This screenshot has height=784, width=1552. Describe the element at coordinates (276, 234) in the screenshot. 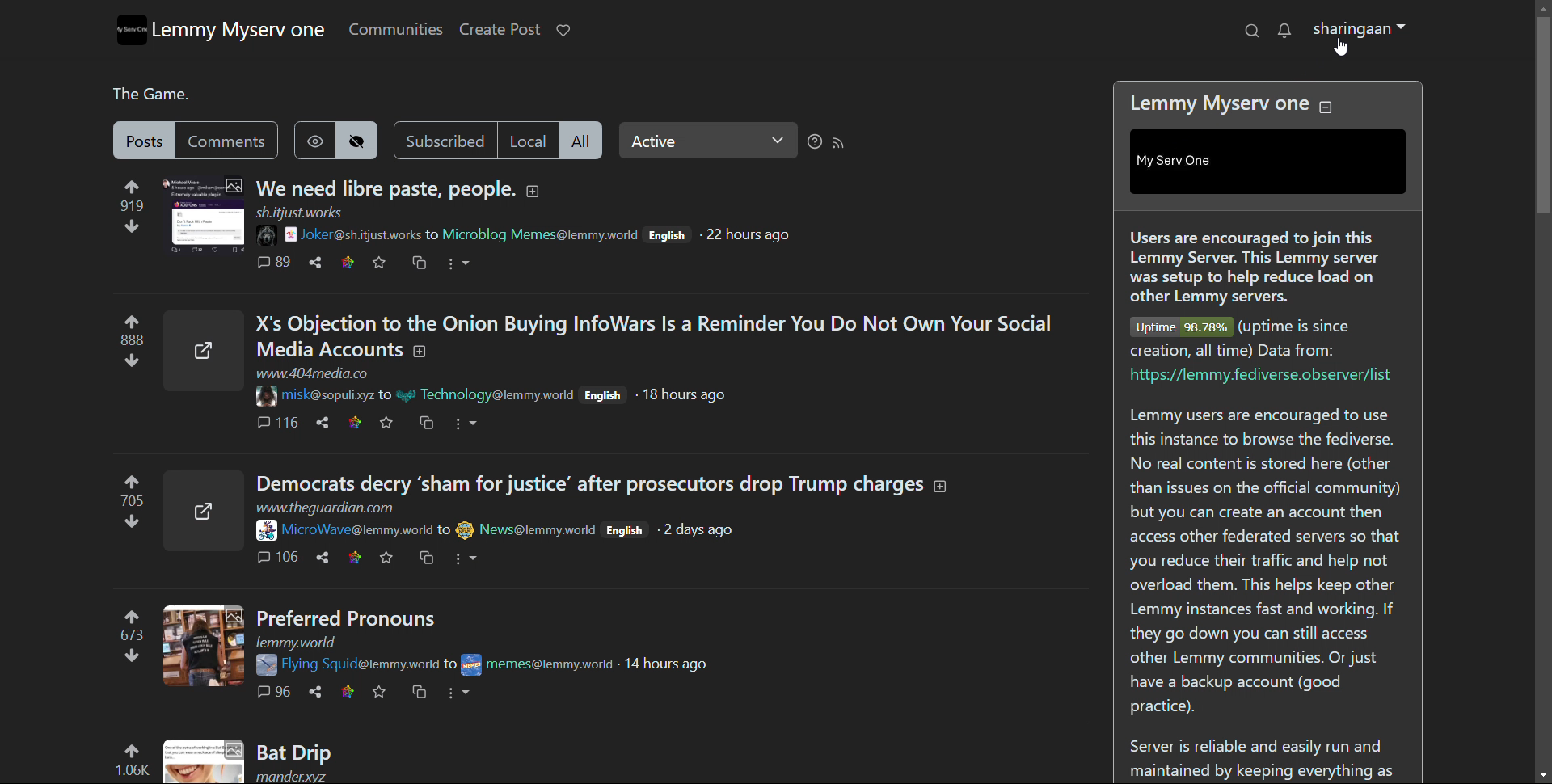

I see `poster display picture` at that location.